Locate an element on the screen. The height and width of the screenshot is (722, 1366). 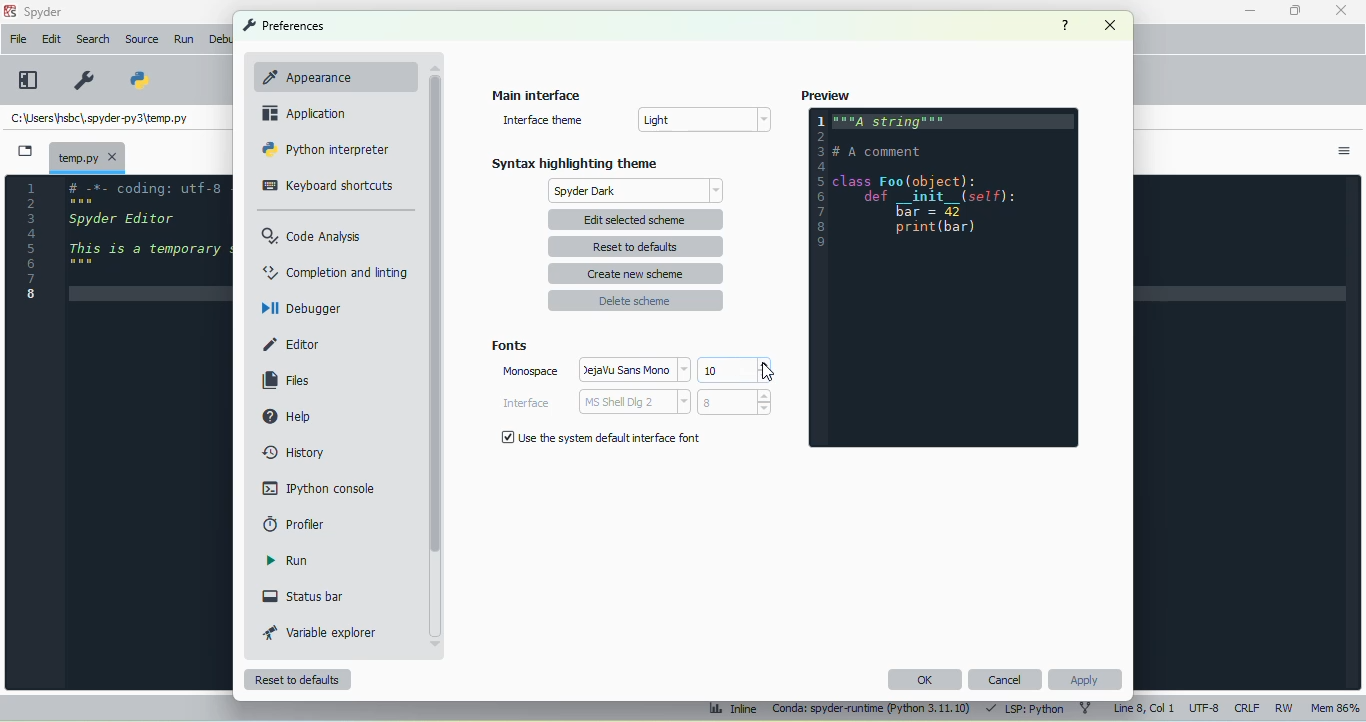
apply is located at coordinates (1086, 680).